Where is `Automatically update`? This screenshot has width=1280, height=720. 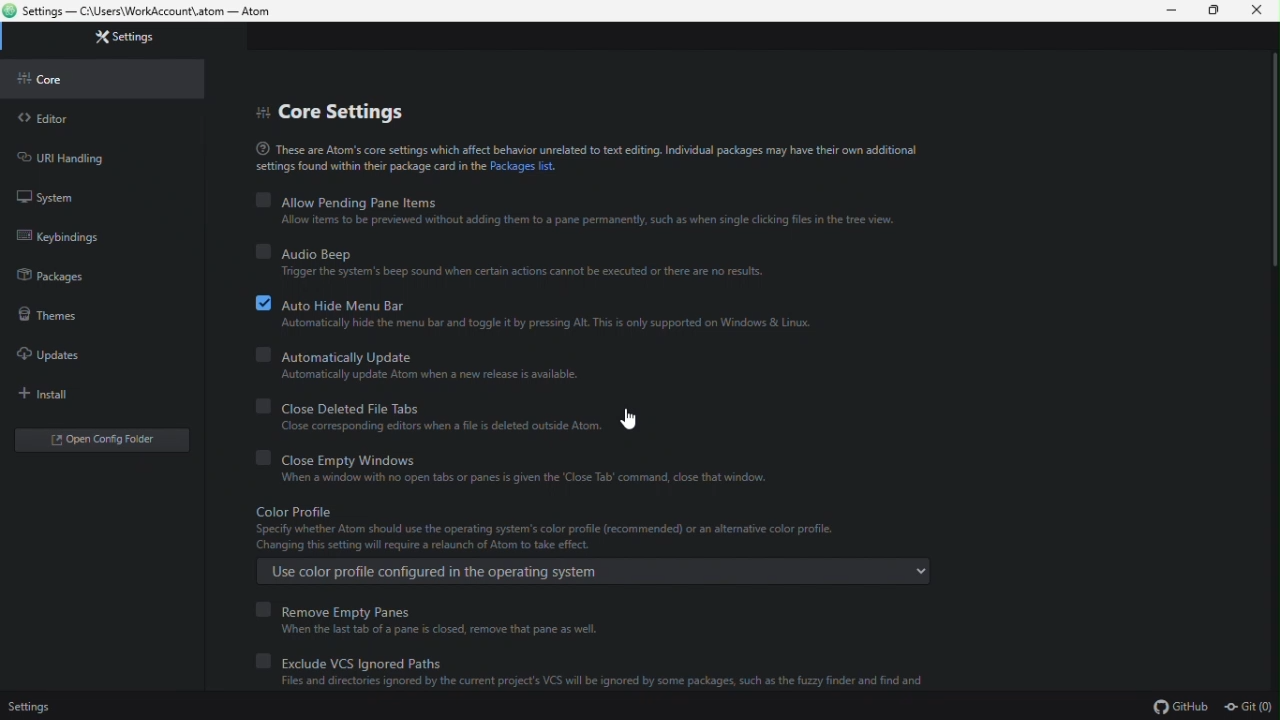
Automatically update is located at coordinates (329, 354).